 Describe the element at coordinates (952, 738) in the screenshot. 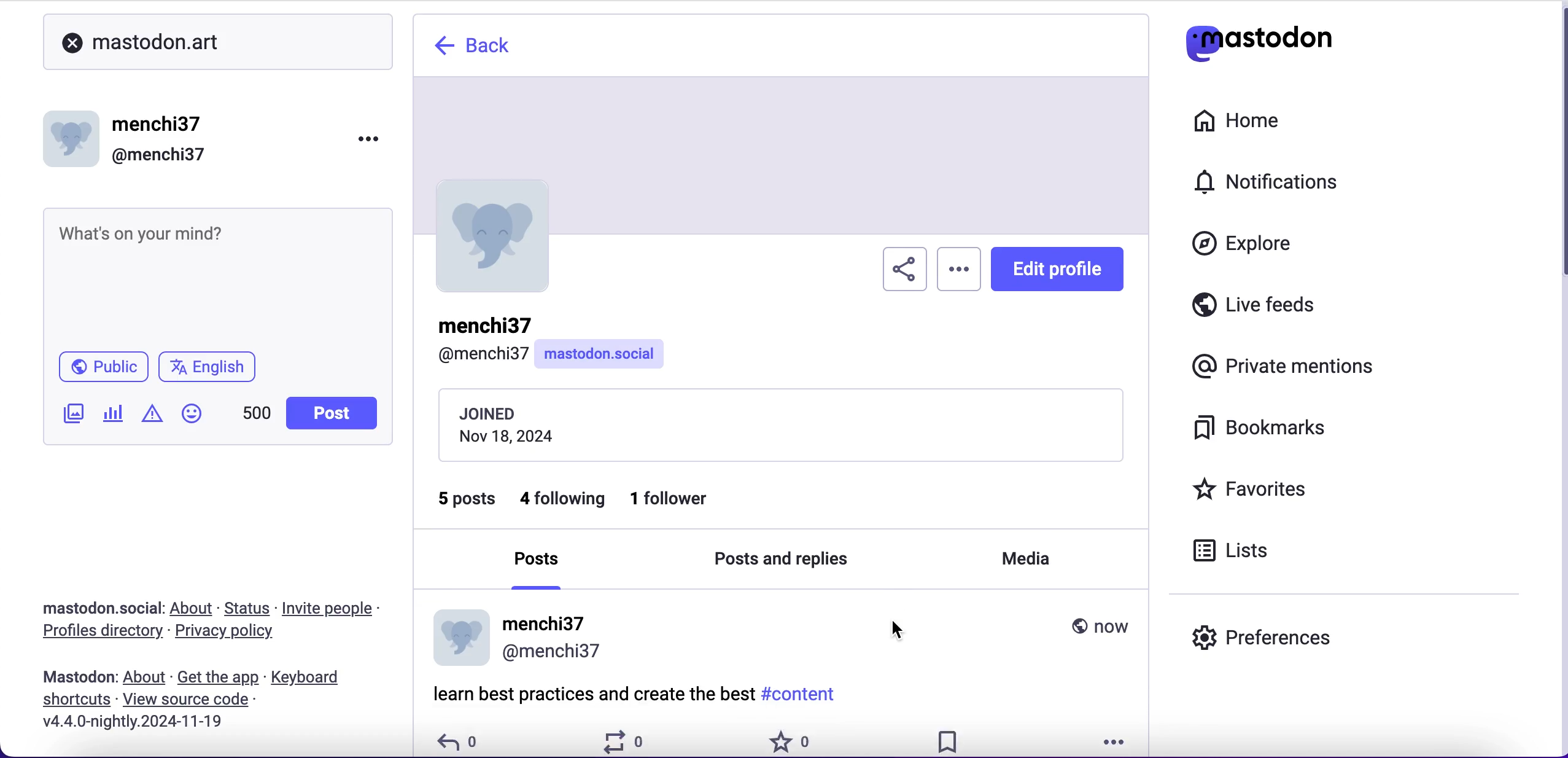

I see `save` at that location.